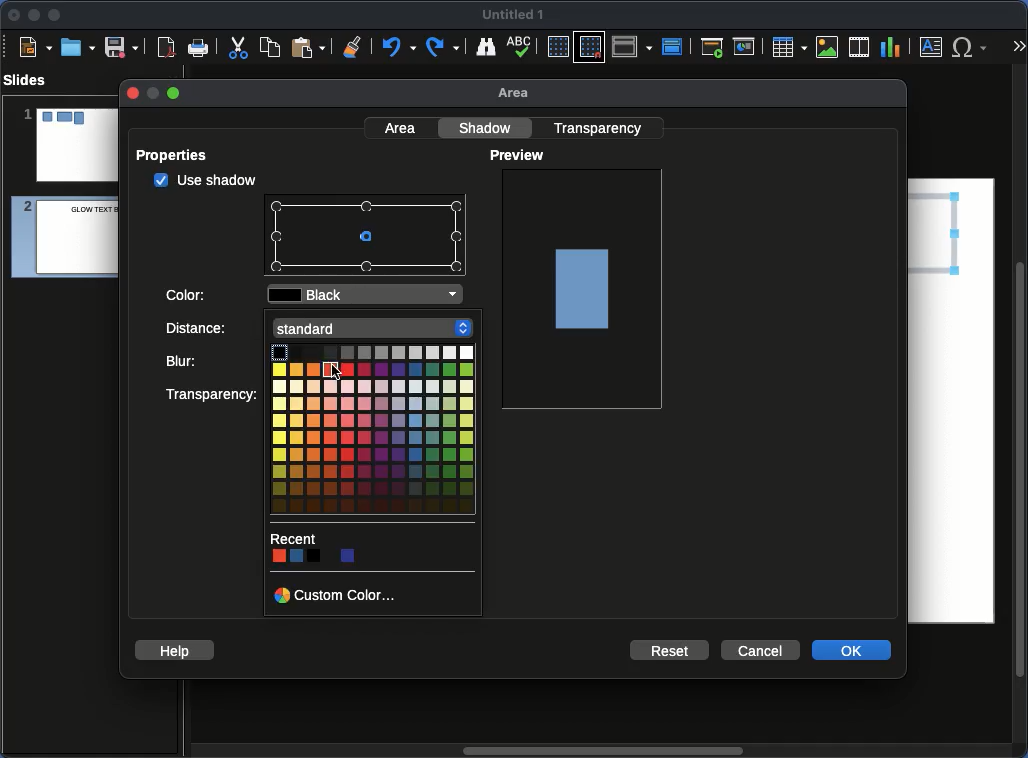 This screenshot has height=758, width=1028. I want to click on Cancel, so click(759, 651).